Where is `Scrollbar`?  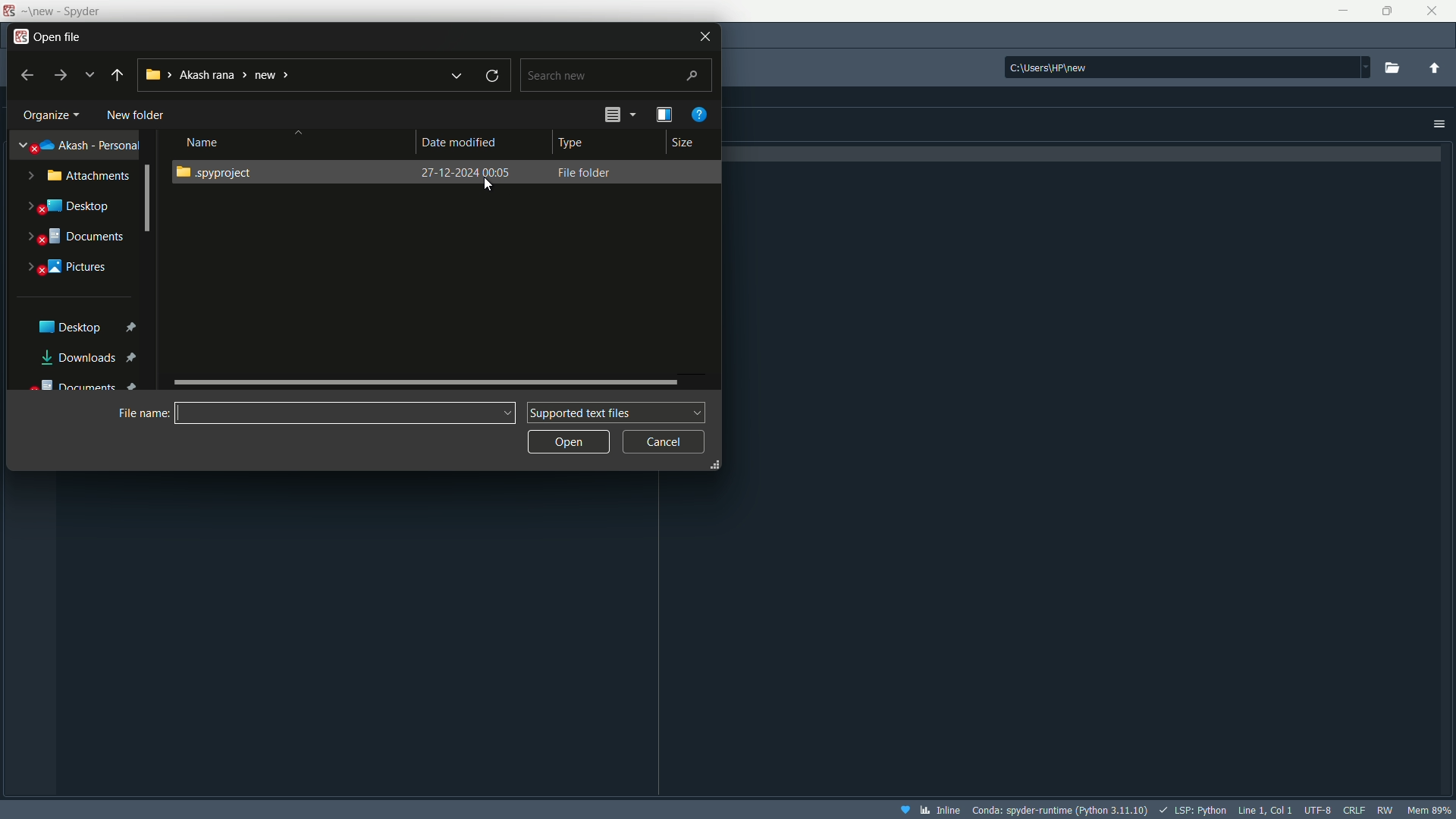 Scrollbar is located at coordinates (150, 198).